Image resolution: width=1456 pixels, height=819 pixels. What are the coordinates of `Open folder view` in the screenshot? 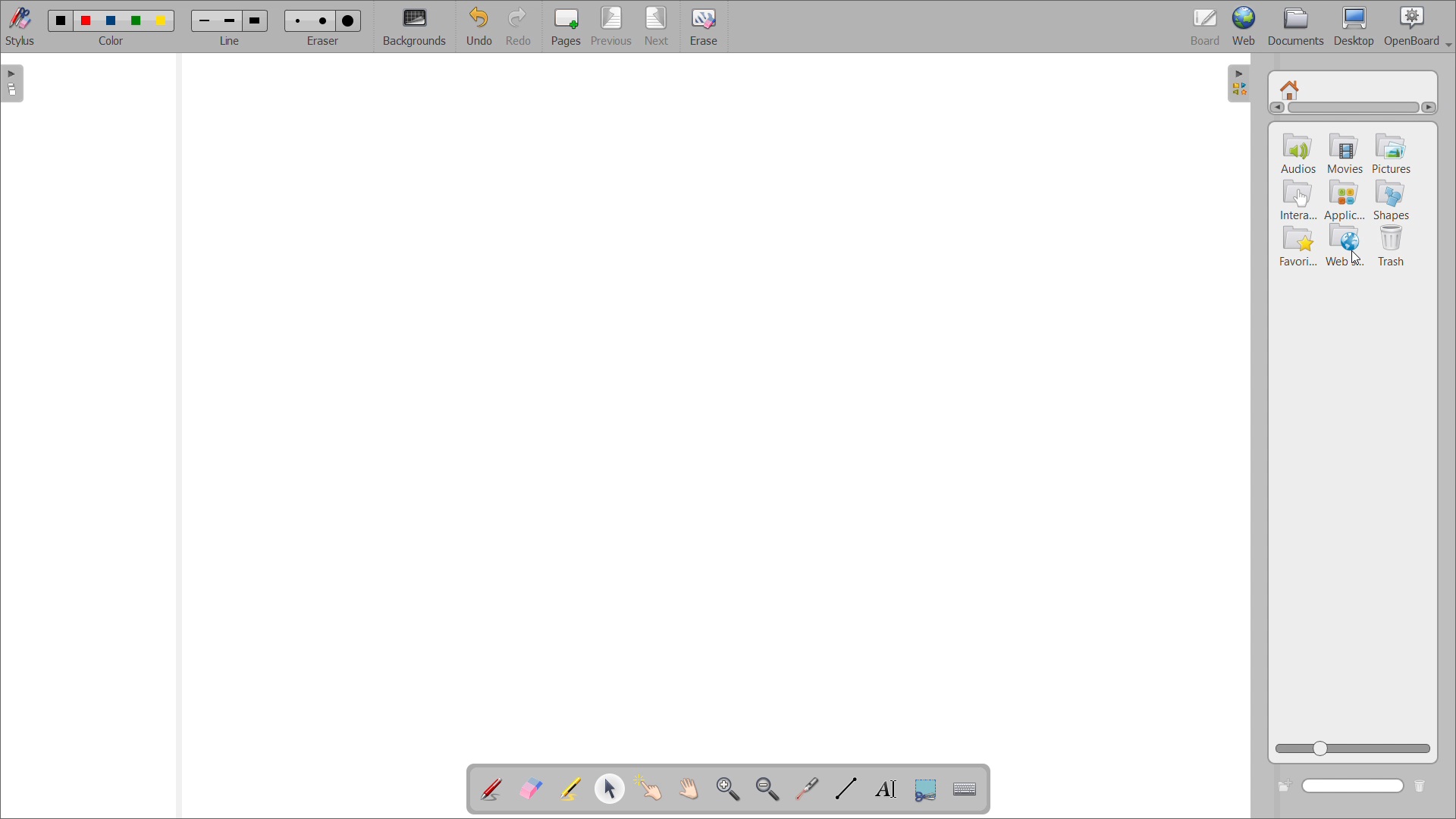 It's located at (1246, 86).